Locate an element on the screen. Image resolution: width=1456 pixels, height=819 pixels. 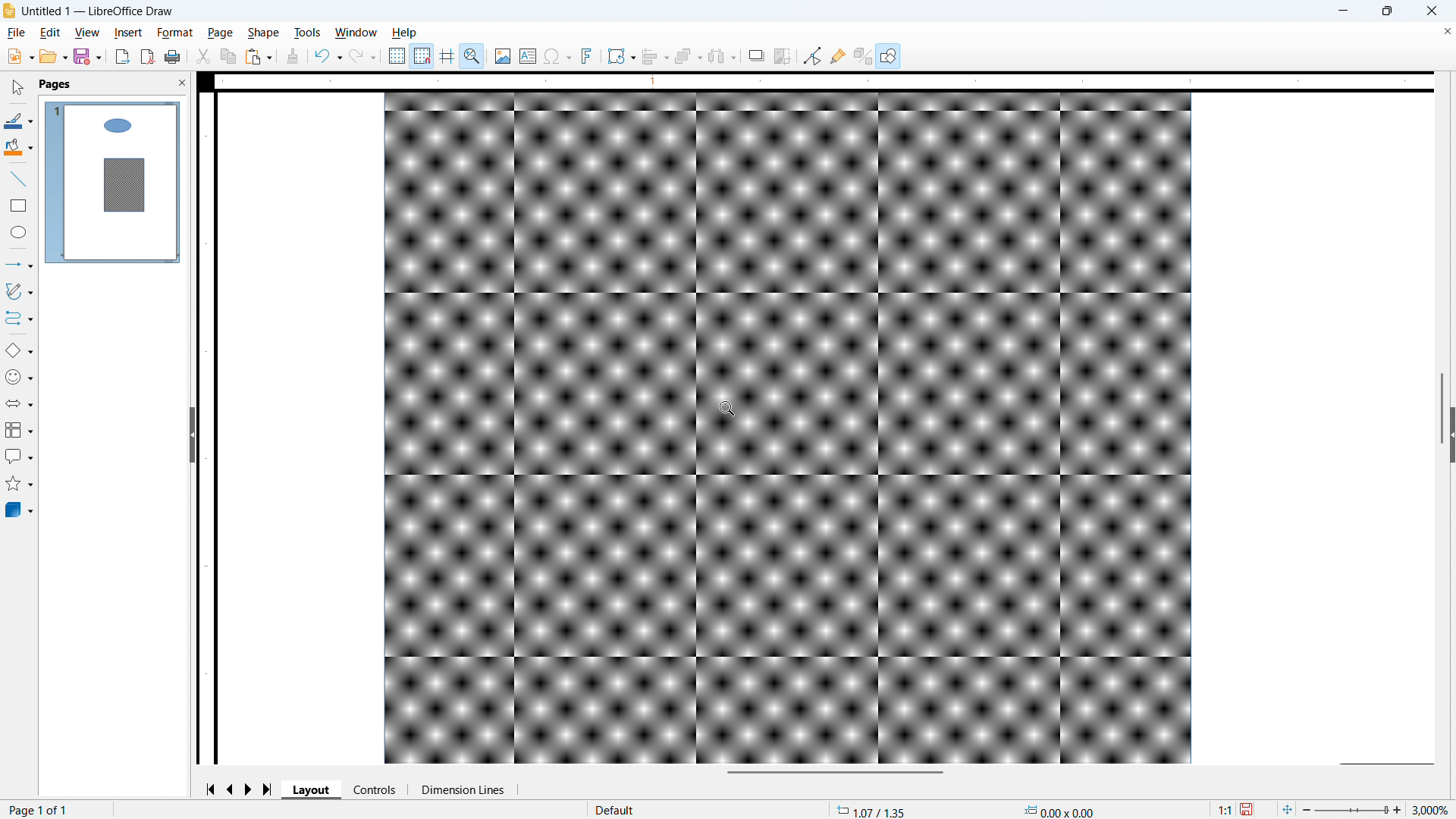
Vertical scroll bar  is located at coordinates (1441, 408).